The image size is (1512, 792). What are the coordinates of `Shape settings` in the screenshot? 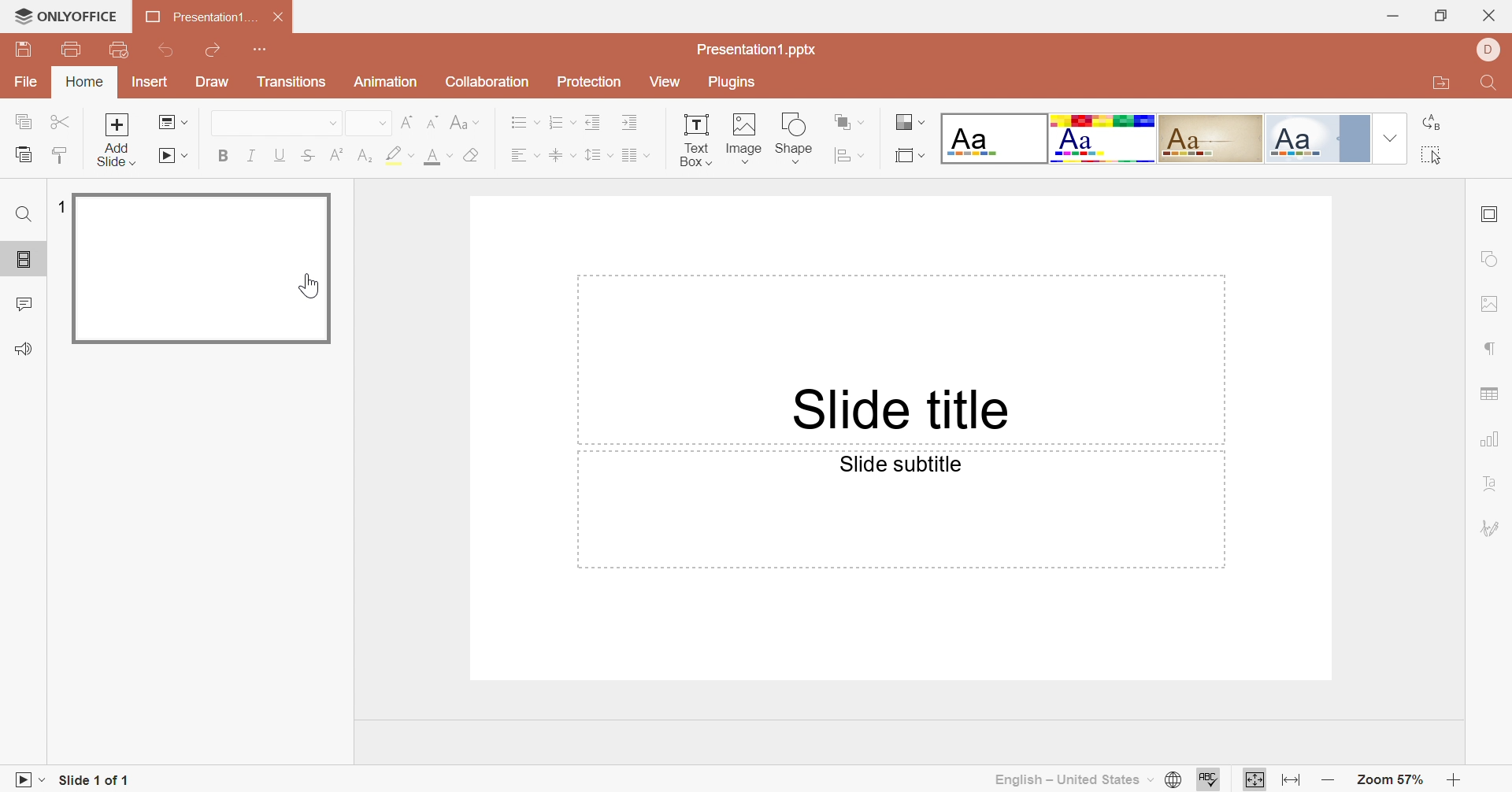 It's located at (1487, 257).